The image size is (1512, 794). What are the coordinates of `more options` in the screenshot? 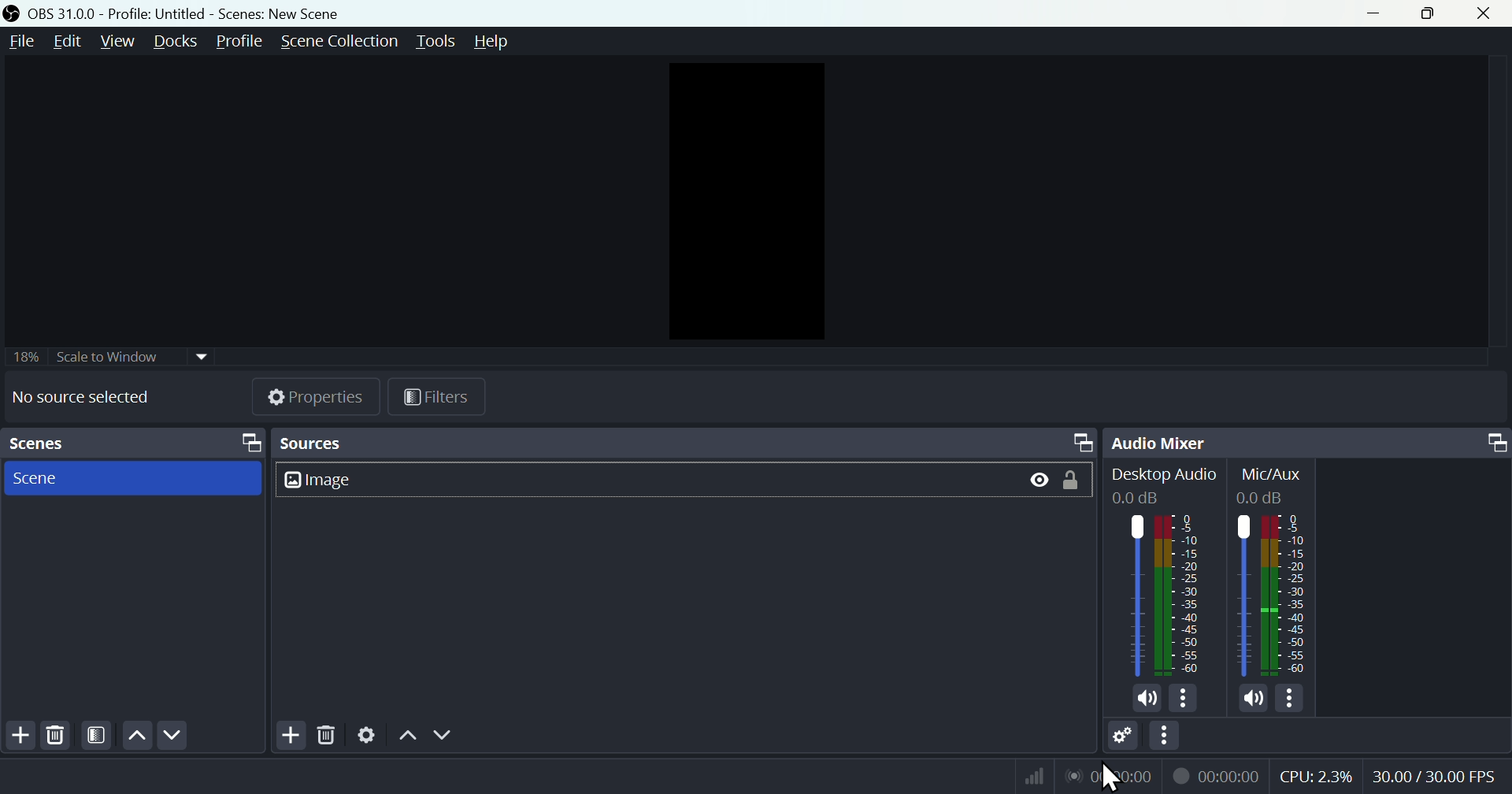 It's located at (1188, 699).